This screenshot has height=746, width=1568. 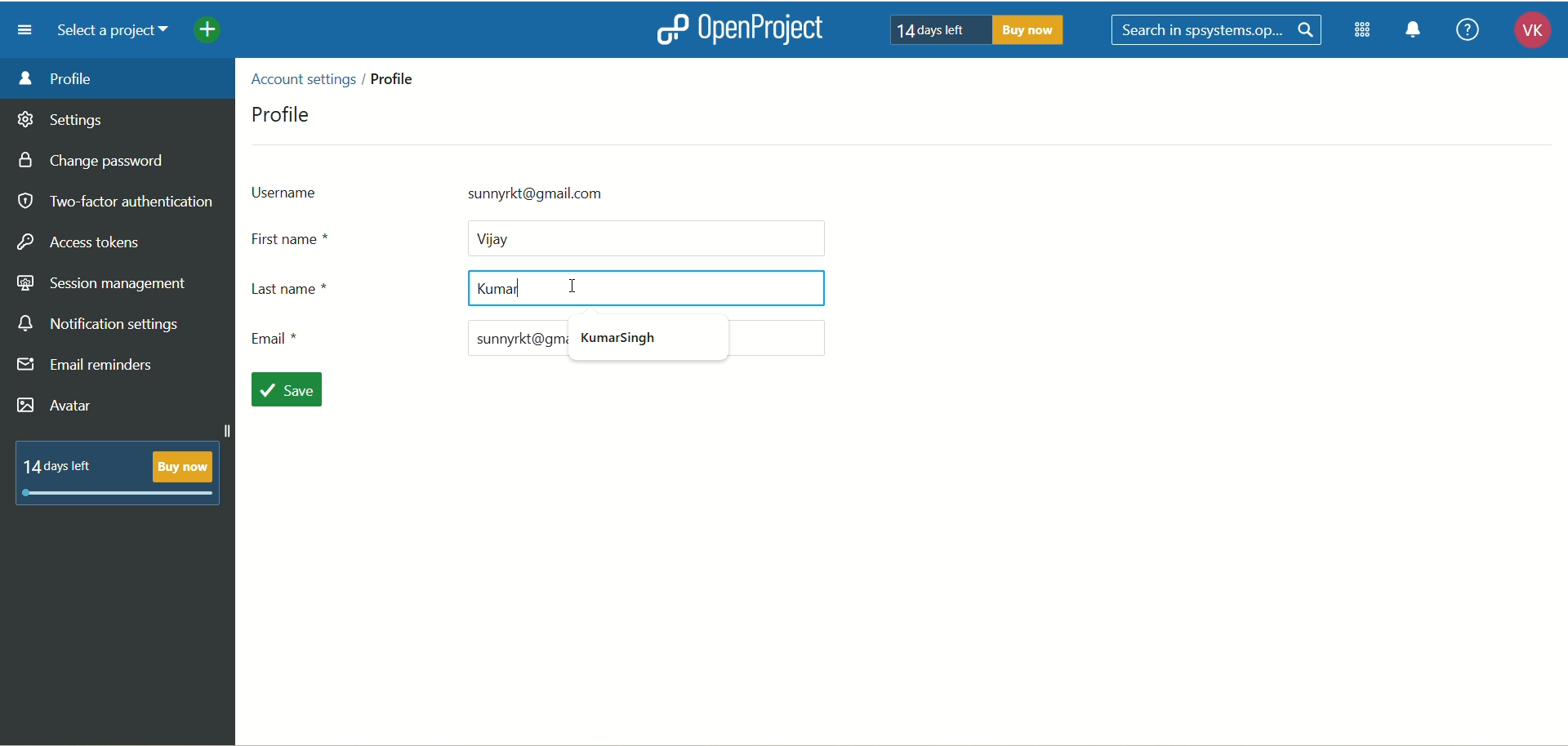 What do you see at coordinates (1526, 33) in the screenshot?
I see `account` at bounding box center [1526, 33].